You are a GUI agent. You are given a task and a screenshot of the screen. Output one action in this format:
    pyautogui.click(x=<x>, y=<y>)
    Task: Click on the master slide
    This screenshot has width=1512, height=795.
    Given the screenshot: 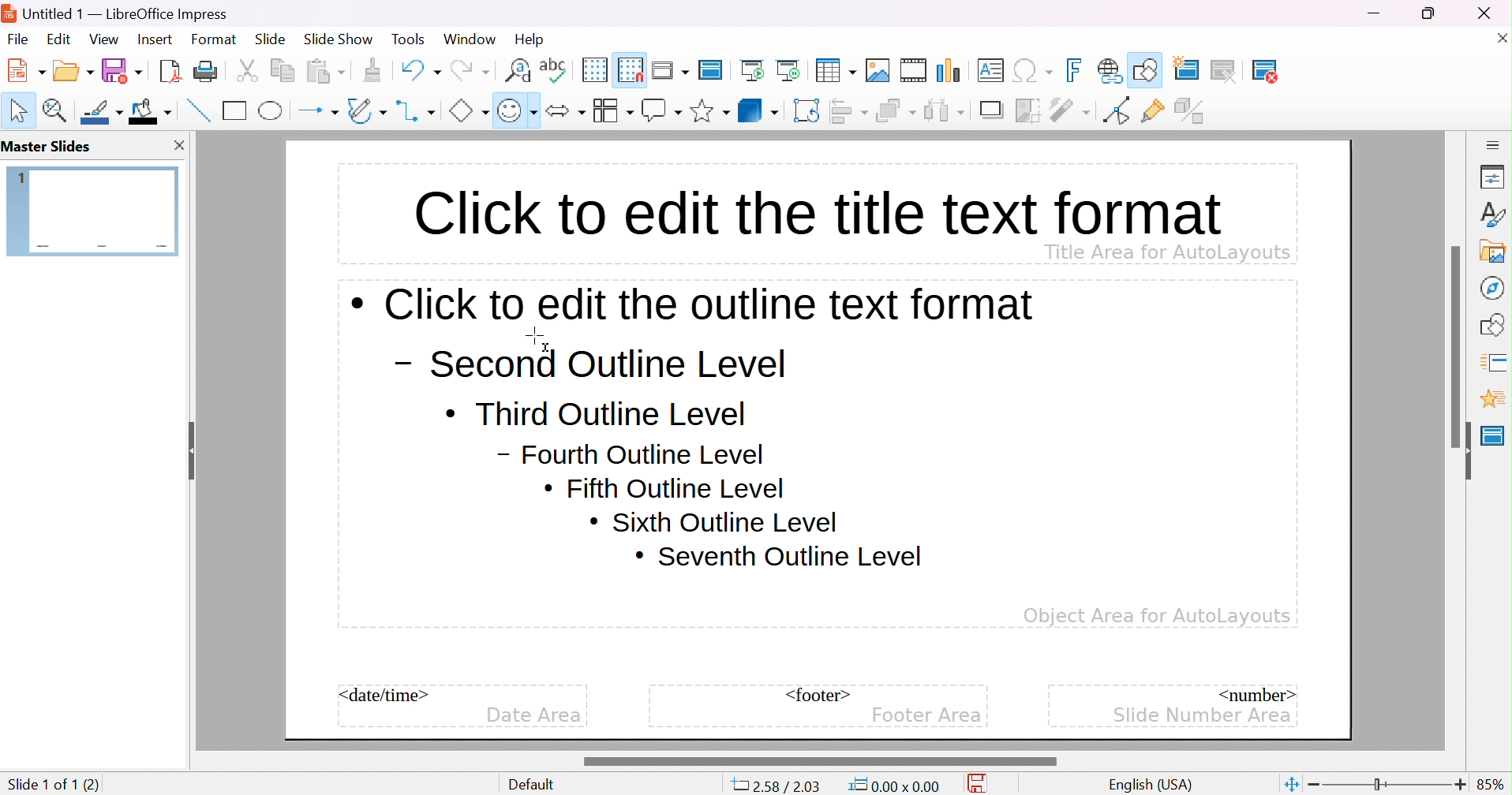 What is the action you would take?
    pyautogui.click(x=713, y=69)
    